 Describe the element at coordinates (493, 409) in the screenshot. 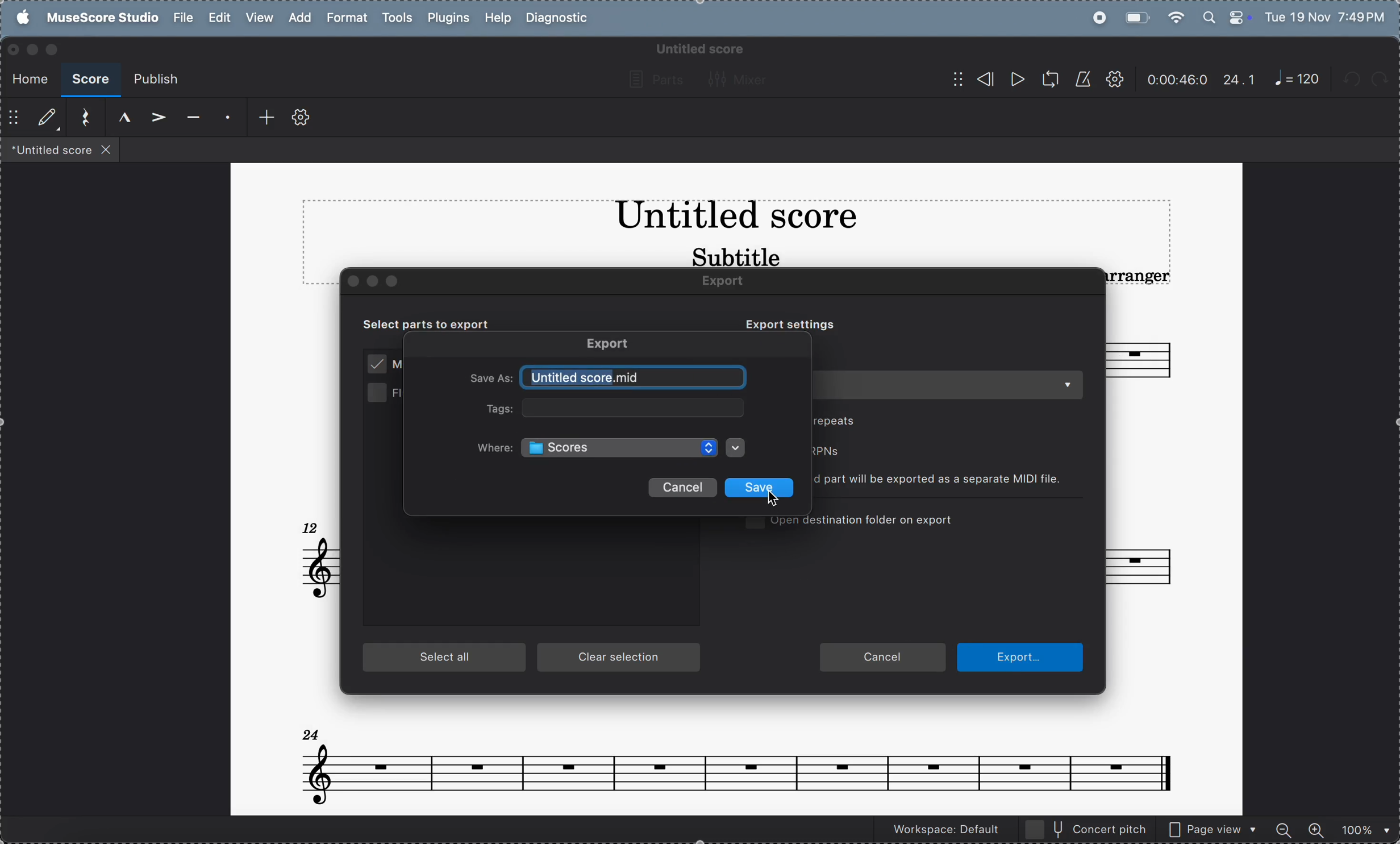

I see `Tags` at that location.